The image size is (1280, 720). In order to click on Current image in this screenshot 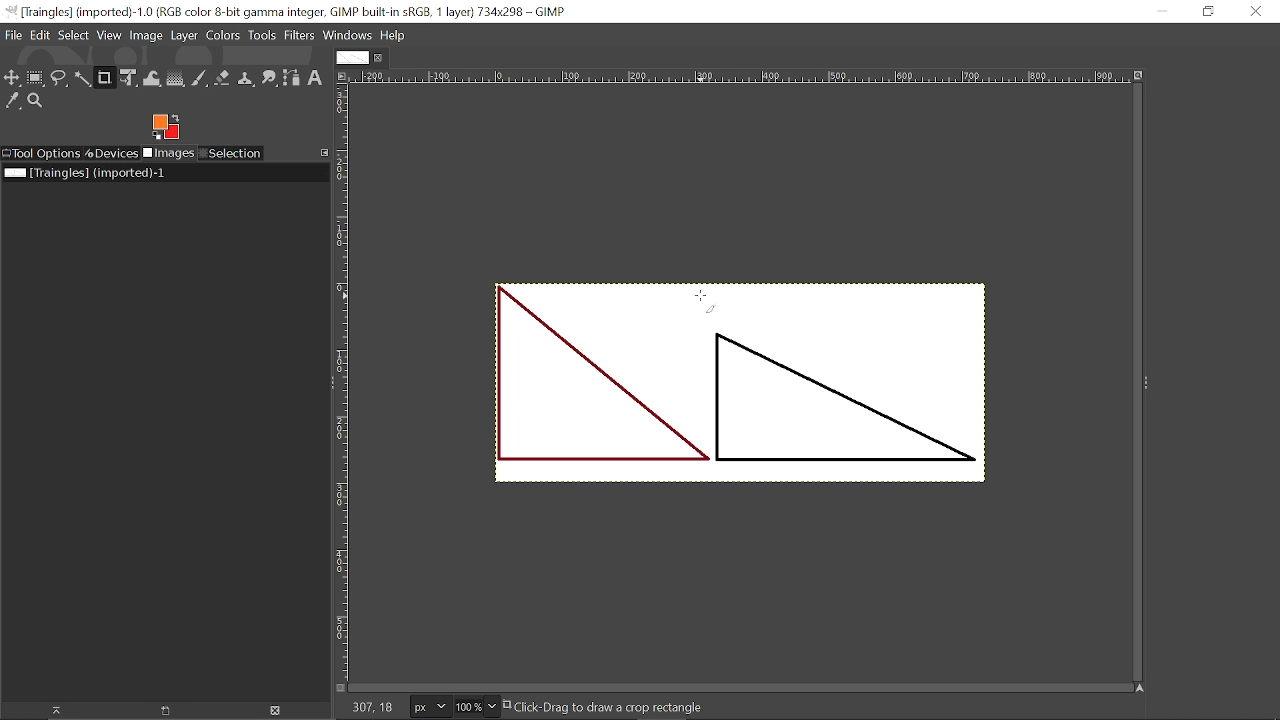, I will do `click(737, 385)`.